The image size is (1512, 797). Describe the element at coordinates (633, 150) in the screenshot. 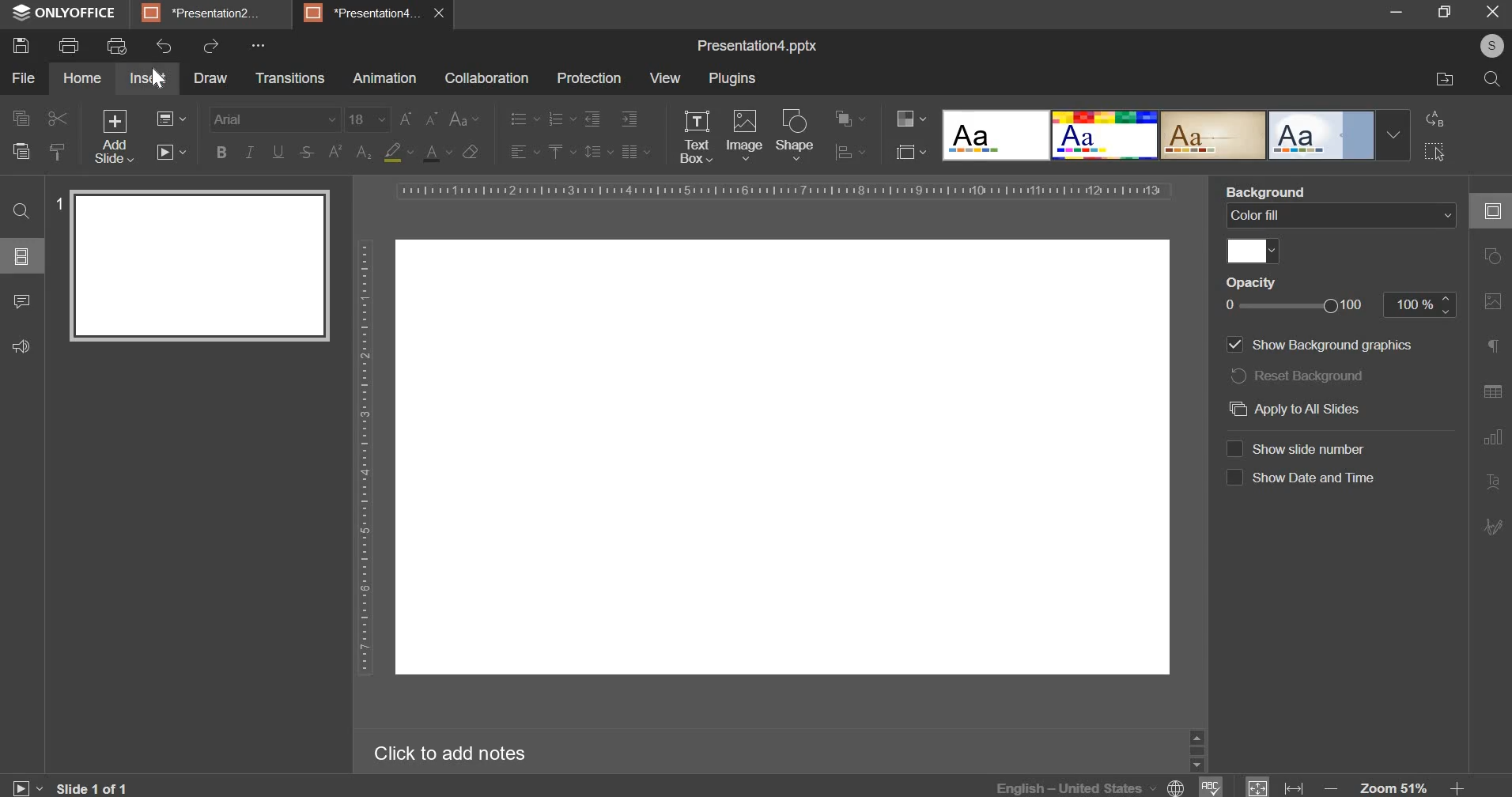

I see `insert columns` at that location.